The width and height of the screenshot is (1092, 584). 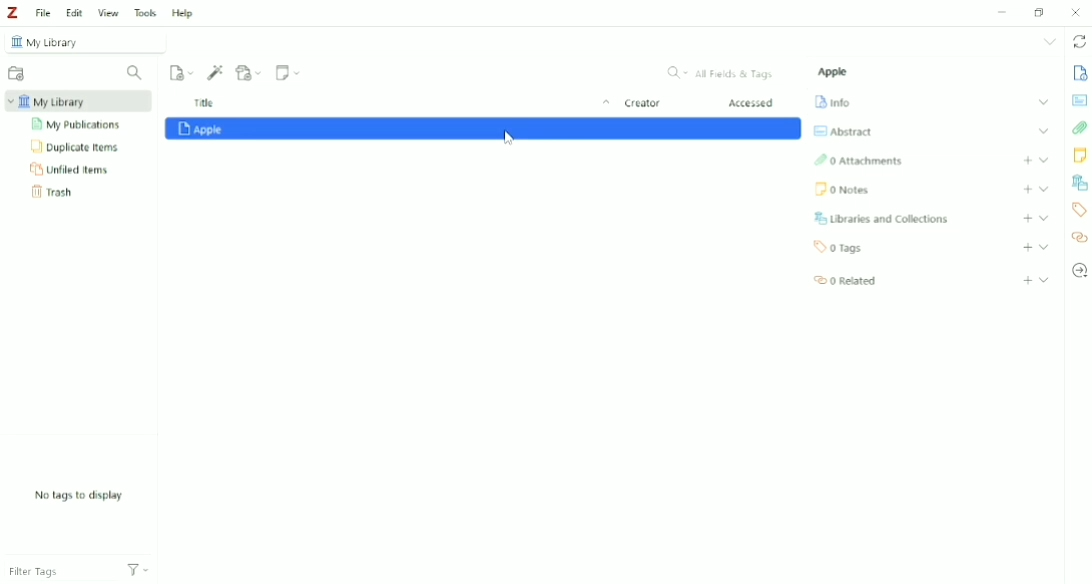 I want to click on Cursor, so click(x=510, y=141).